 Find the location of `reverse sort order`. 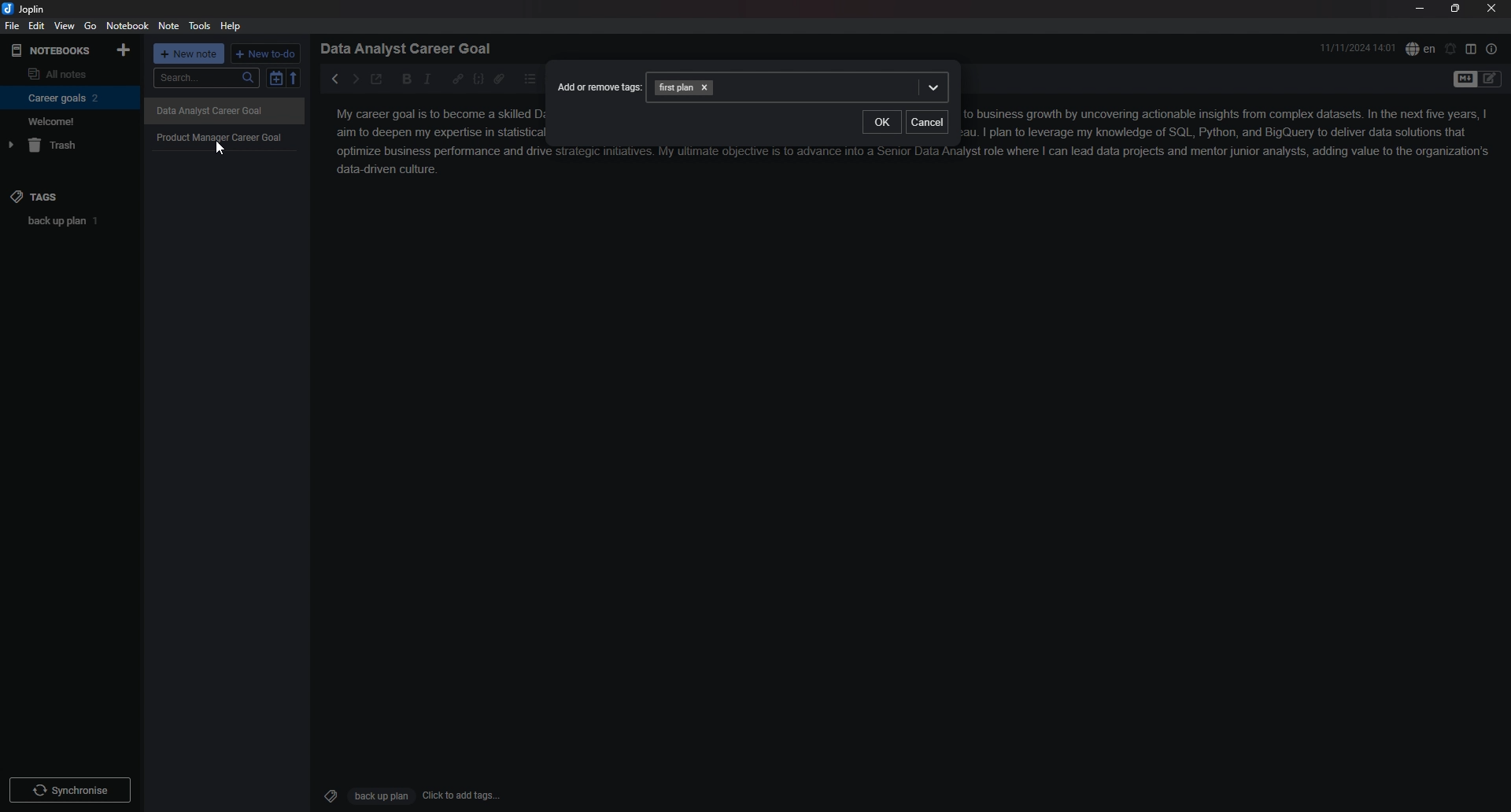

reverse sort order is located at coordinates (294, 77).